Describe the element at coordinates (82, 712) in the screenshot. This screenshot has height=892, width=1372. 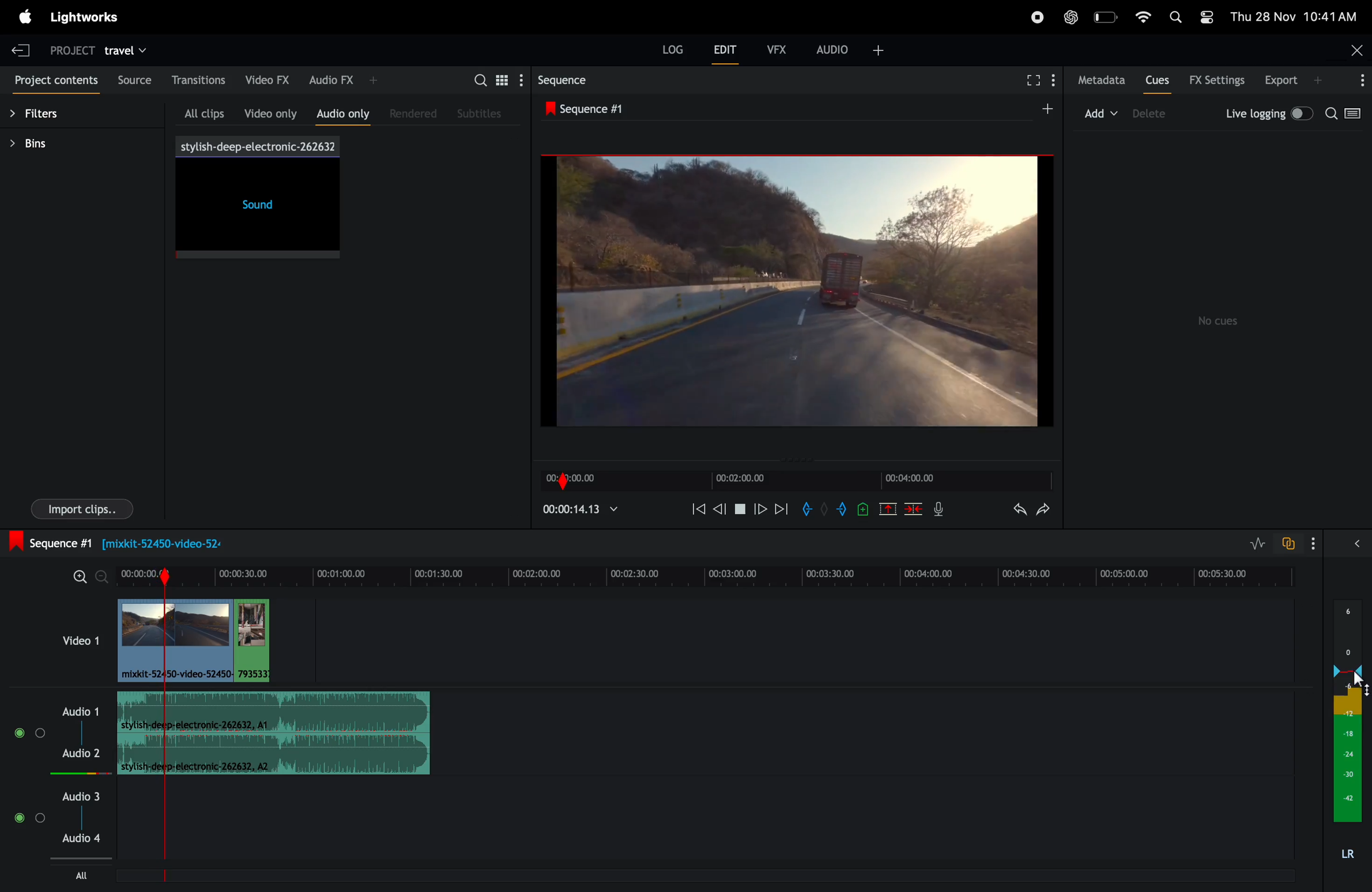
I see `audio 1` at that location.